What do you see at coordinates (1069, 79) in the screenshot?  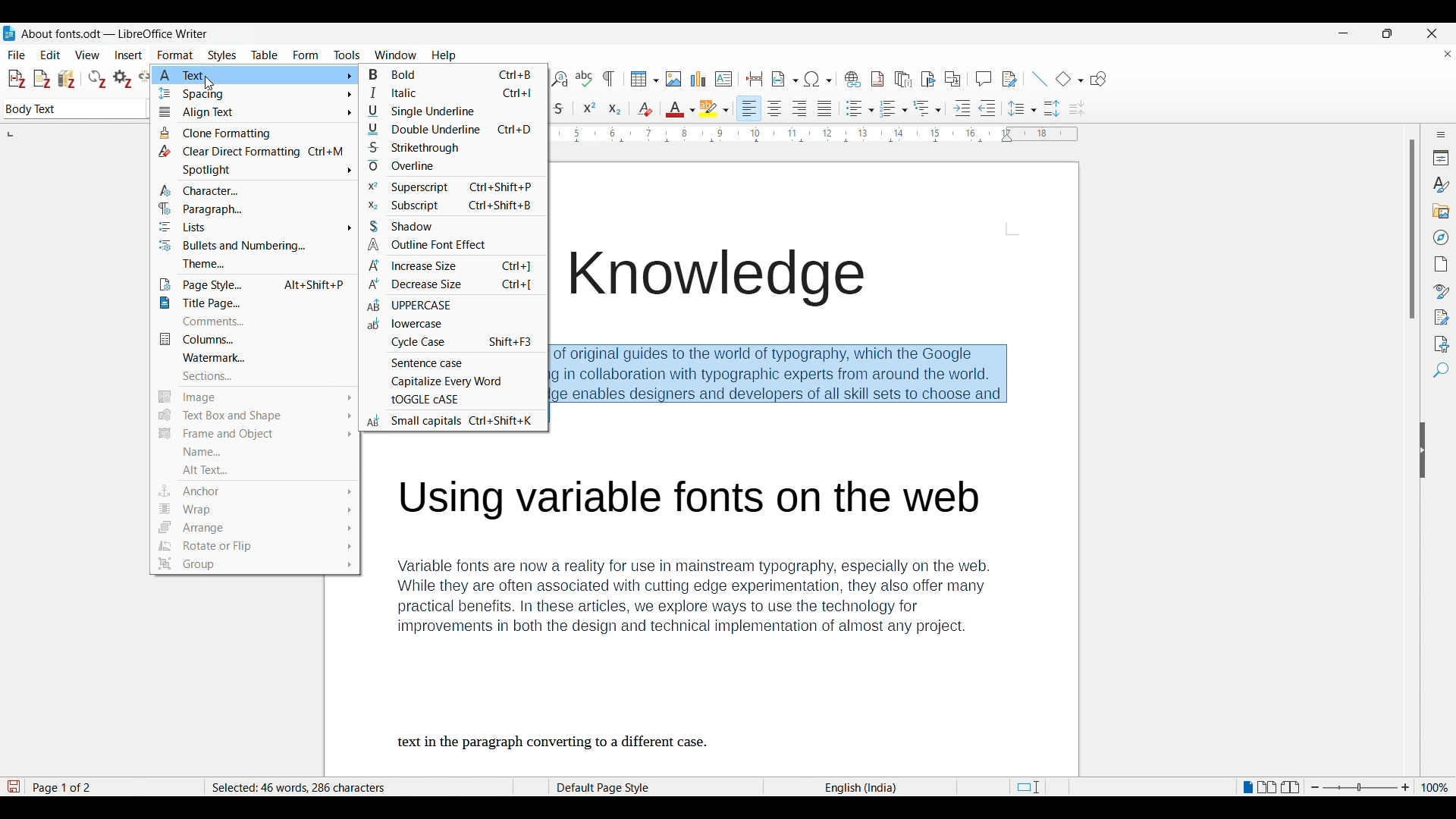 I see `Basic shape options` at bounding box center [1069, 79].